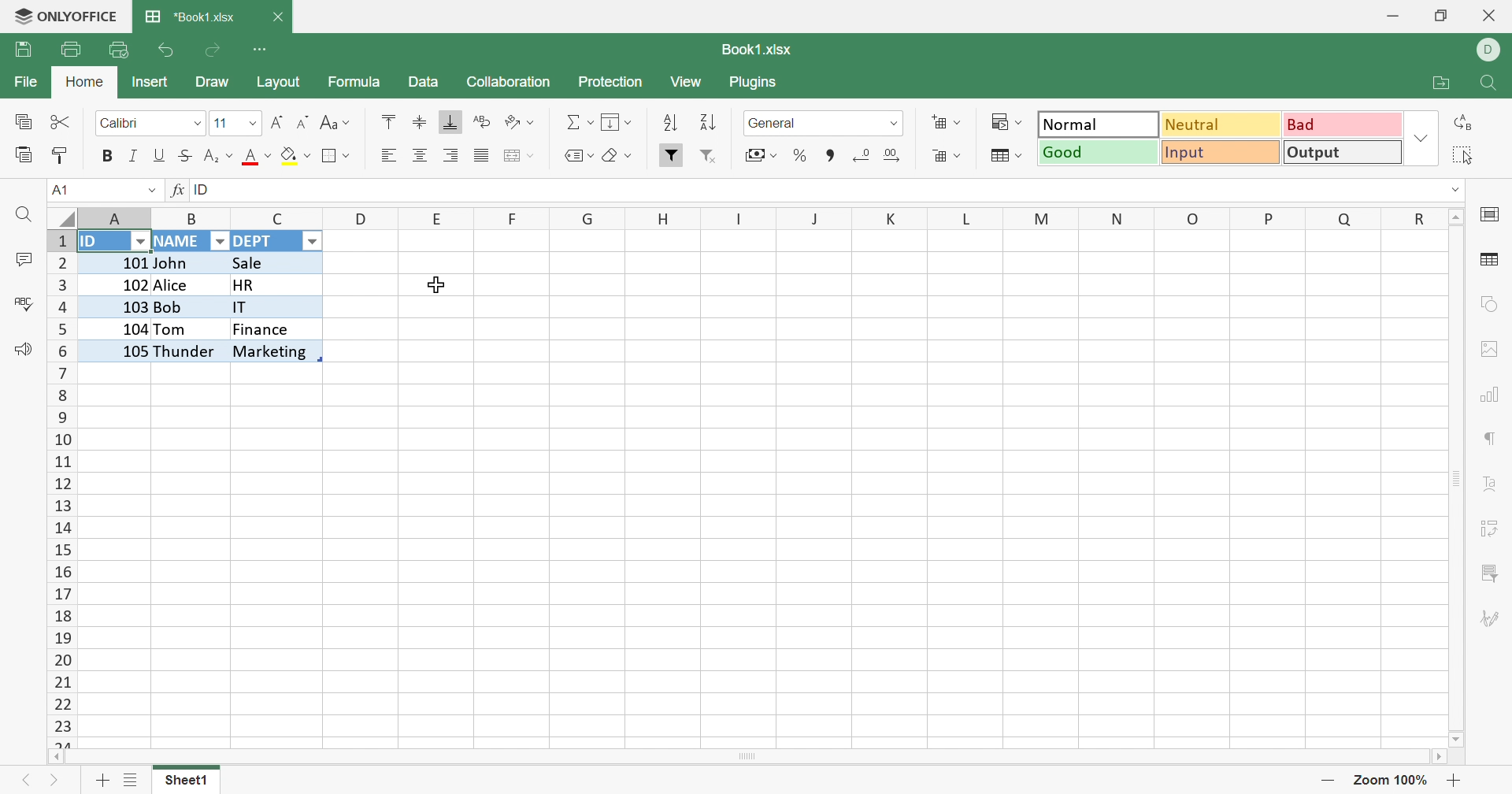 This screenshot has height=794, width=1512. I want to click on Comments, so click(22, 259).